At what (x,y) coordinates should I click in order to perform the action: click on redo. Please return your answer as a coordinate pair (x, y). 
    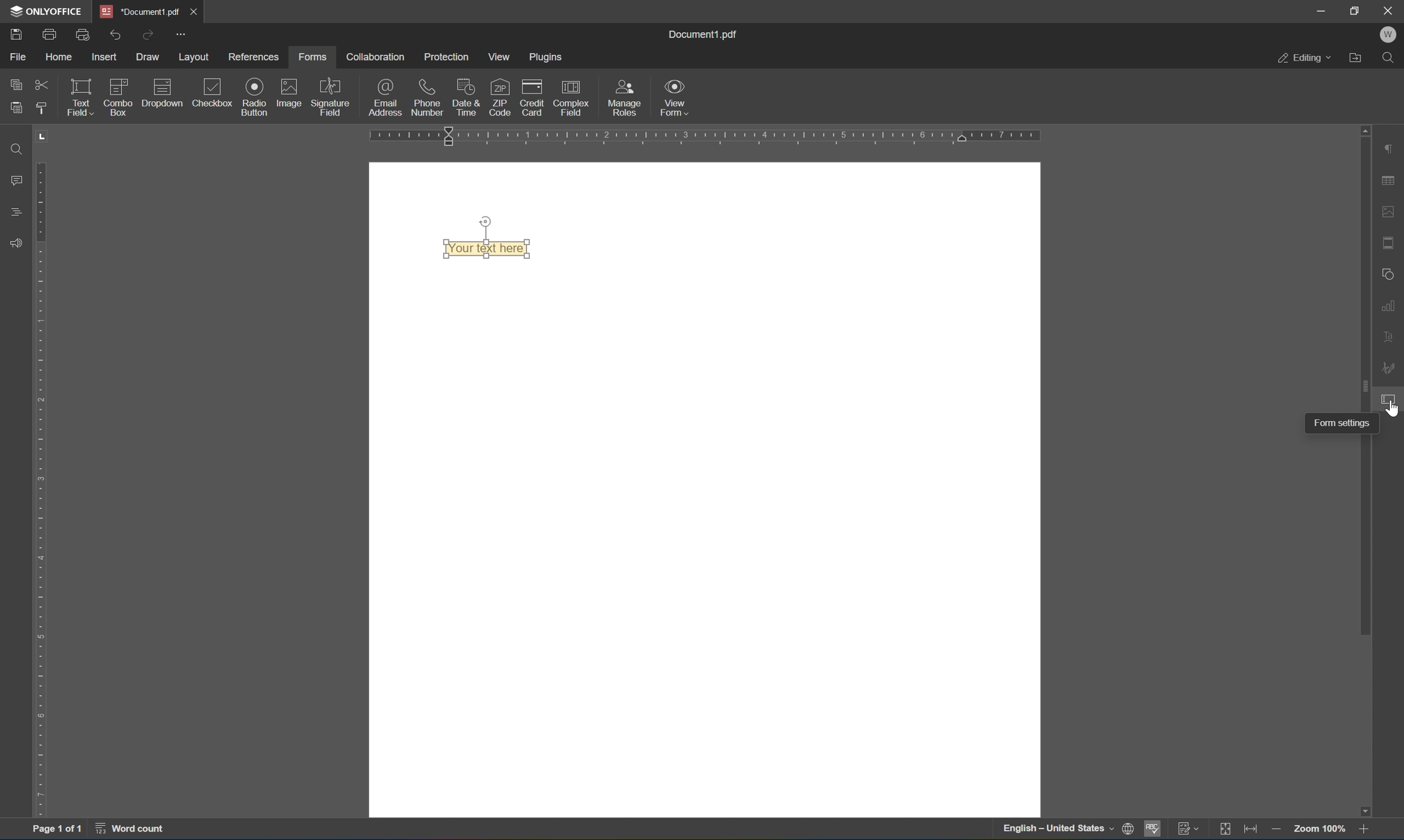
    Looking at the image, I should click on (146, 36).